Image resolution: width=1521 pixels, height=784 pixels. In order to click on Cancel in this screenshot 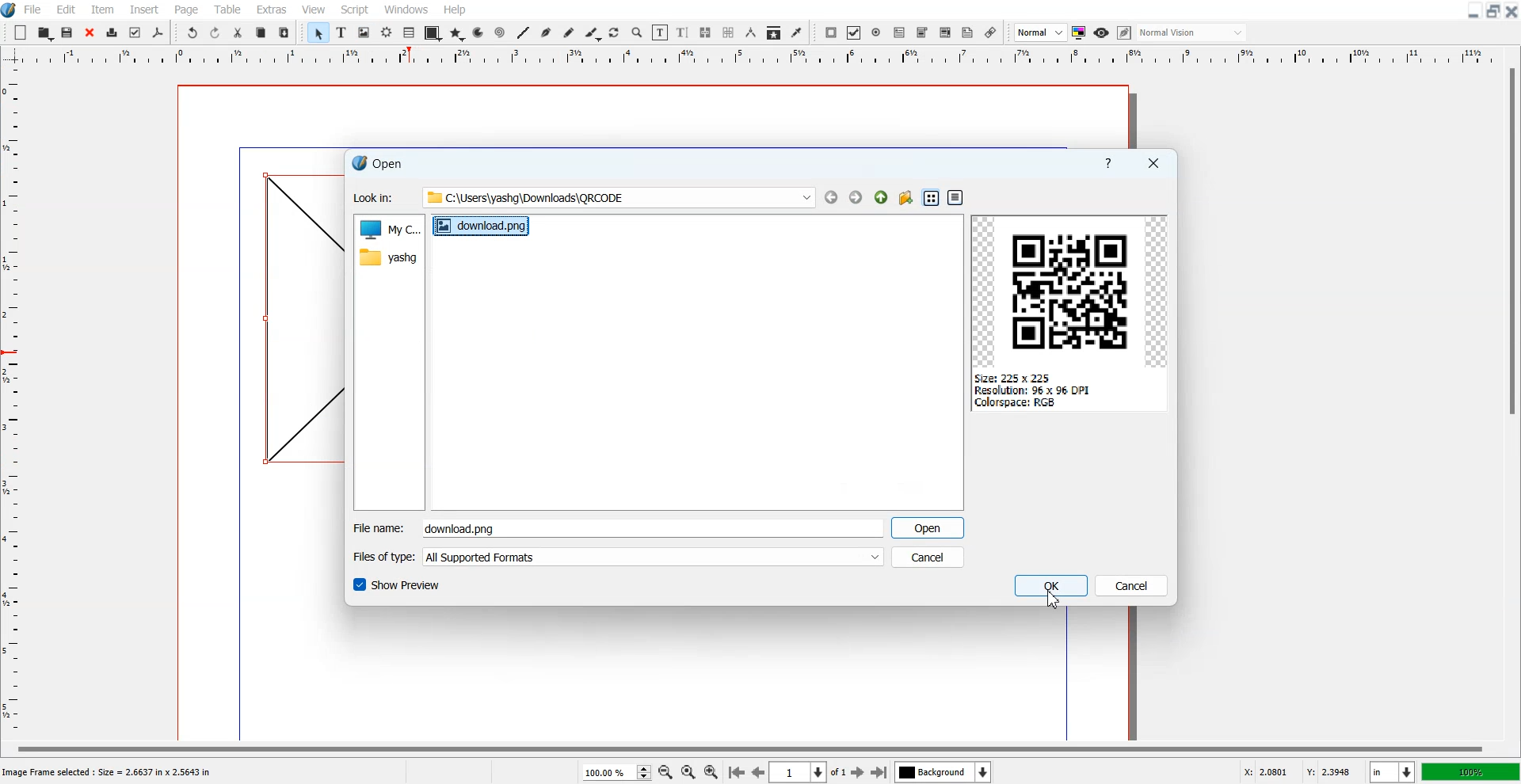, I will do `click(1131, 585)`.